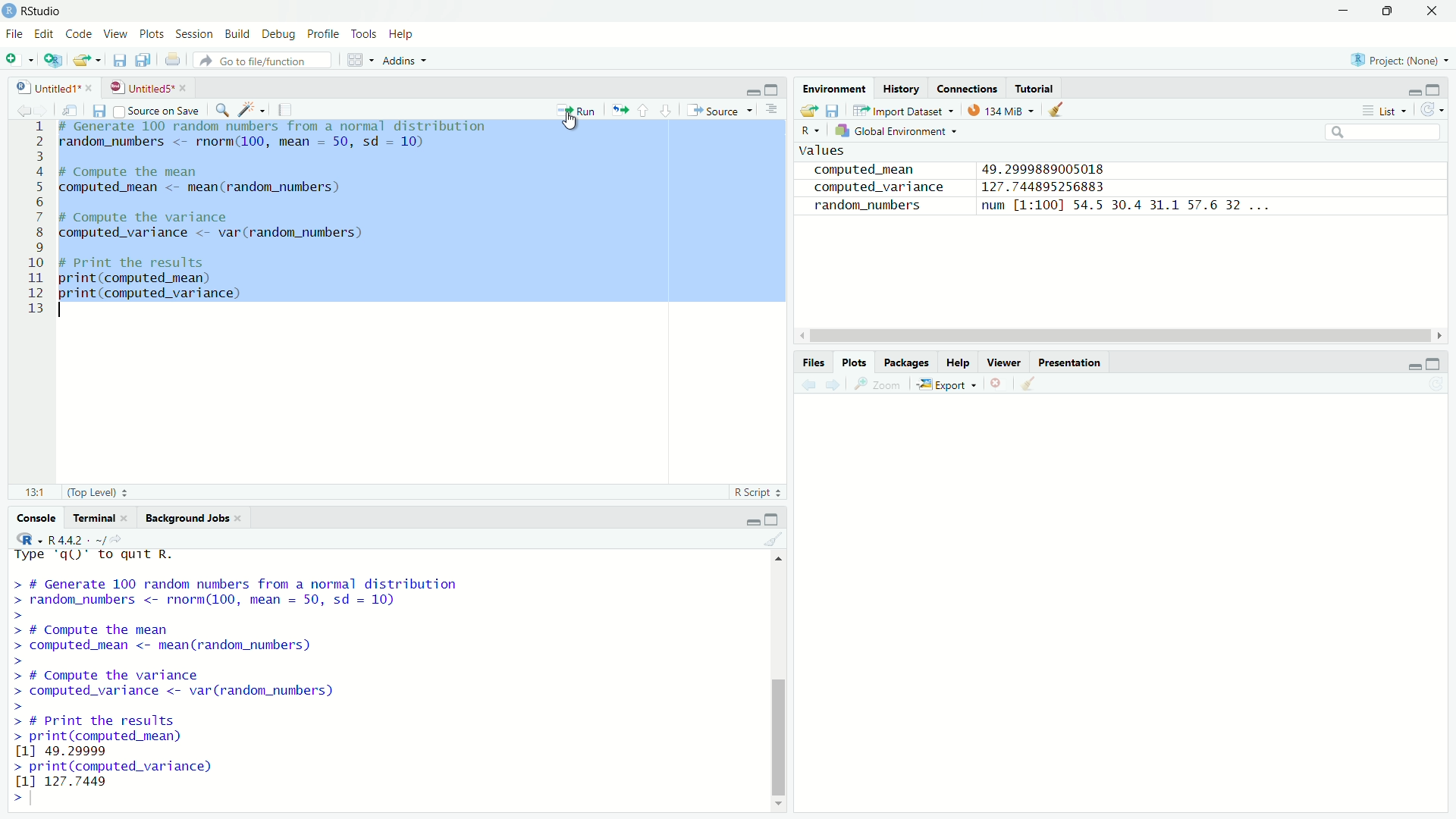 Image resolution: width=1456 pixels, height=819 pixels. Describe the element at coordinates (143, 60) in the screenshot. I see `save all open document` at that location.